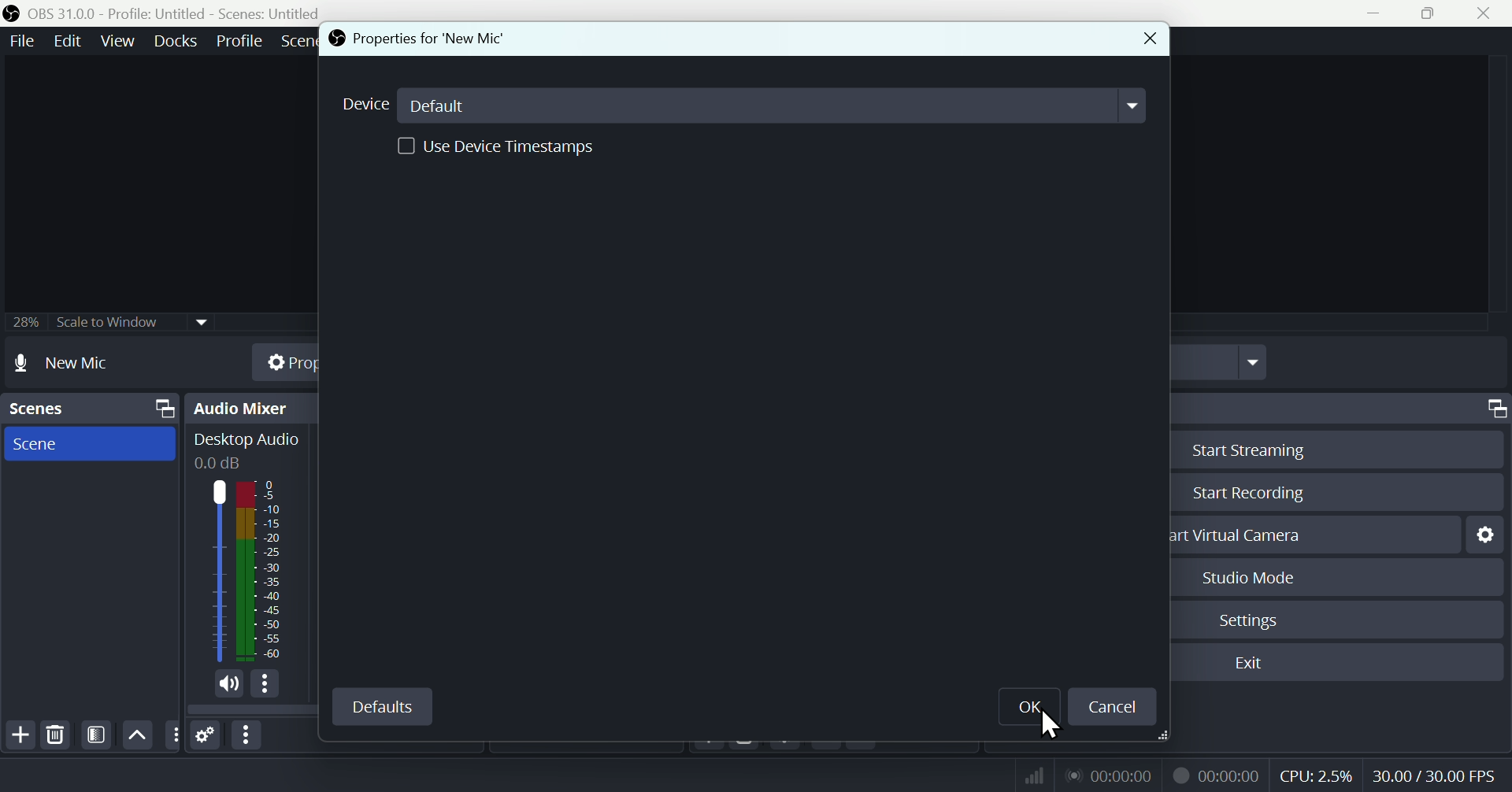  What do you see at coordinates (215, 571) in the screenshot?
I see `Desktop Audio` at bounding box center [215, 571].